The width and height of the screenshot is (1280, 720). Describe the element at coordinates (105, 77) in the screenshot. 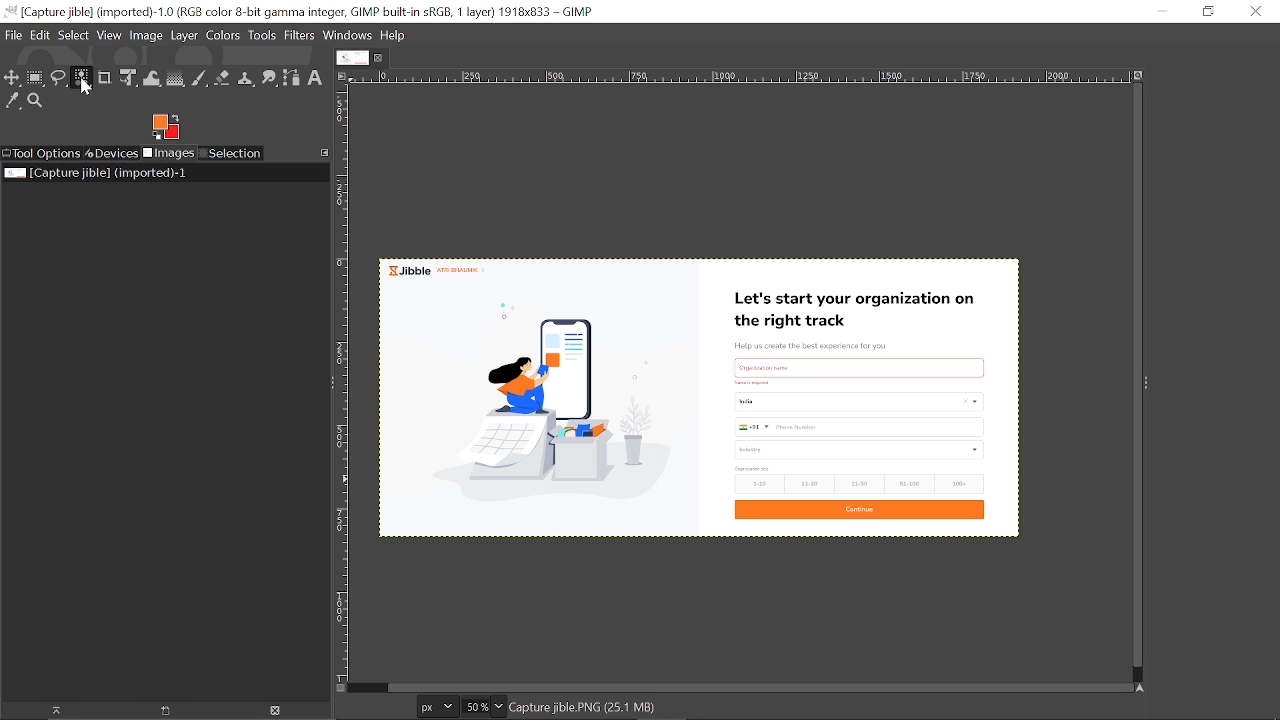

I see `Crop tool` at that location.